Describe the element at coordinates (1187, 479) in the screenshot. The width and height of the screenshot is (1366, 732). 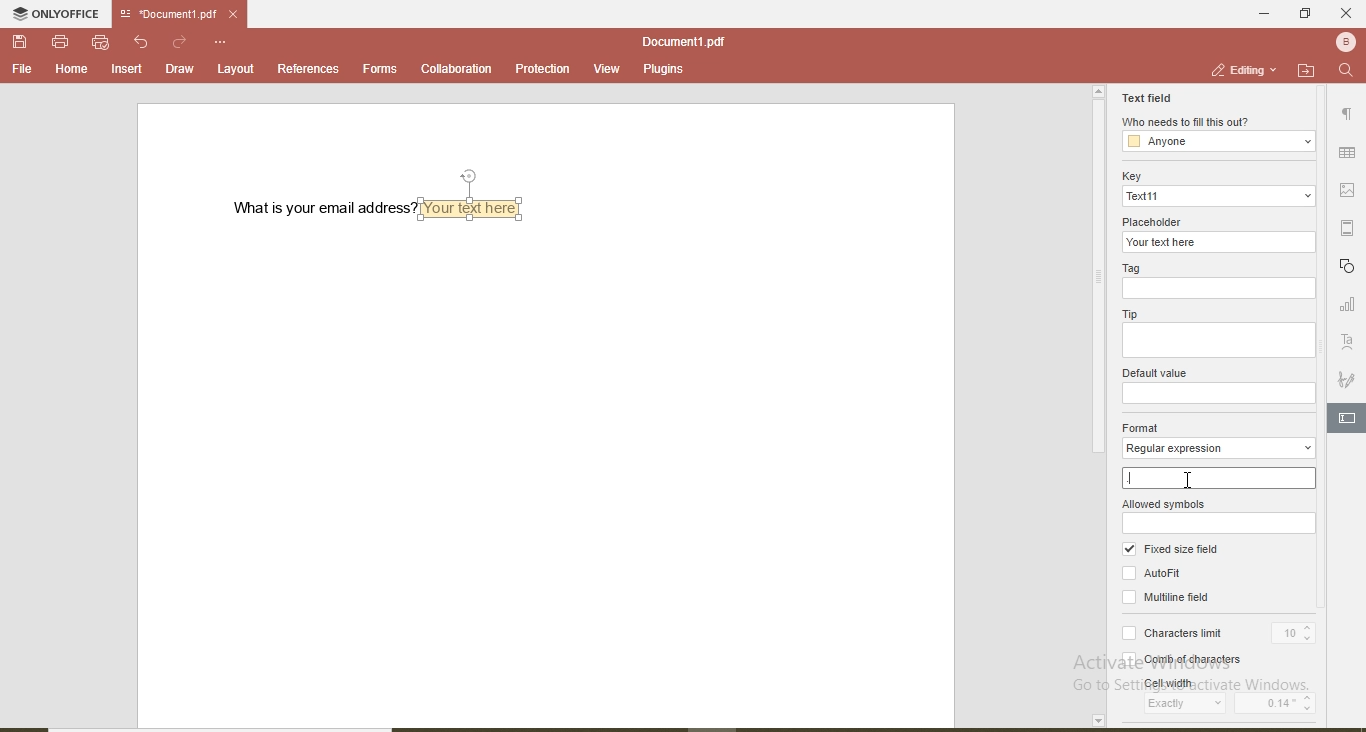
I see `cursor` at that location.